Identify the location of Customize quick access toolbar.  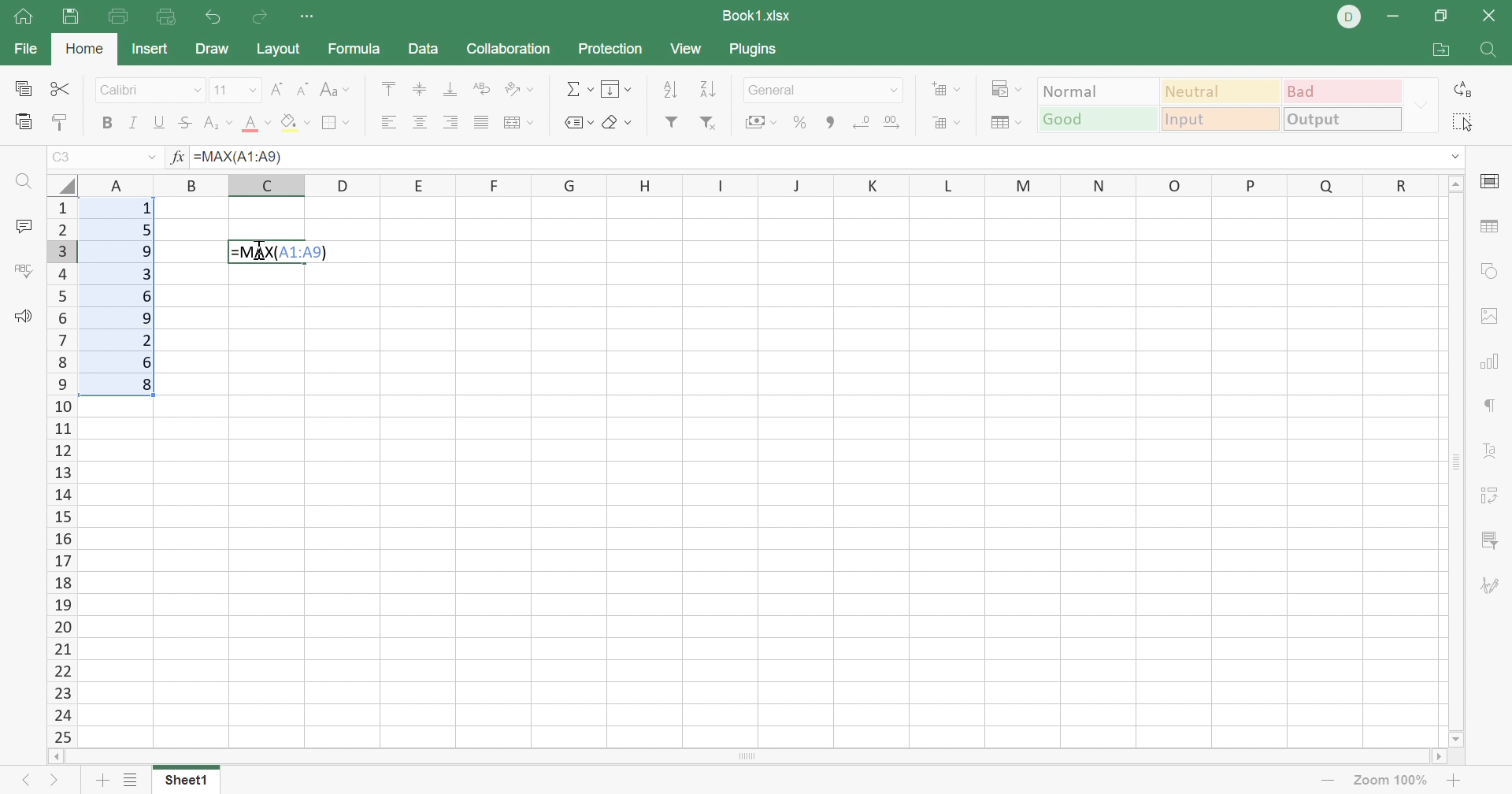
(308, 17).